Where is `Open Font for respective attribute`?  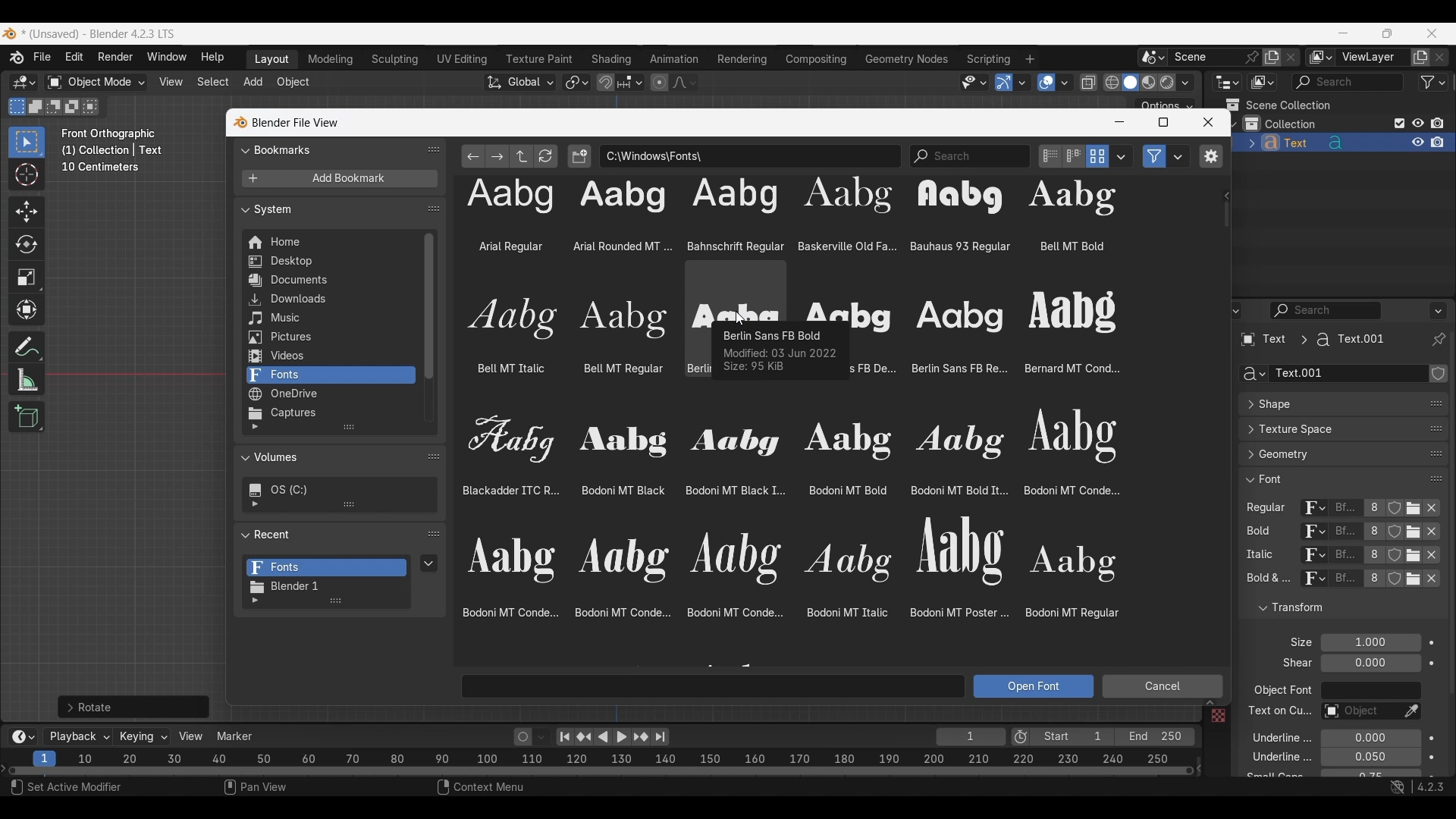
Open Font for respective attribute is located at coordinates (1414, 510).